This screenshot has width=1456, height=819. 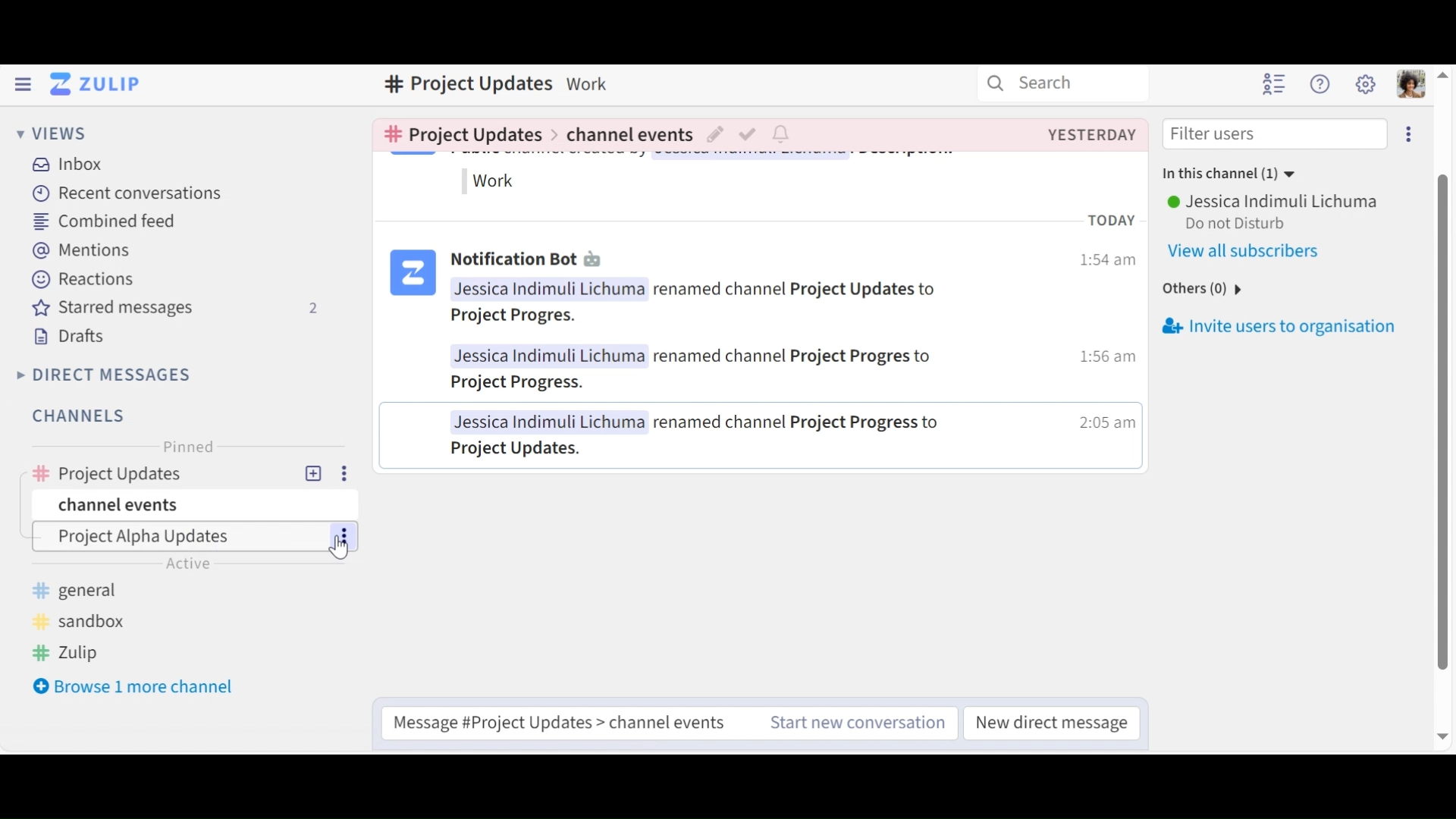 I want to click on Reactions, so click(x=83, y=278).